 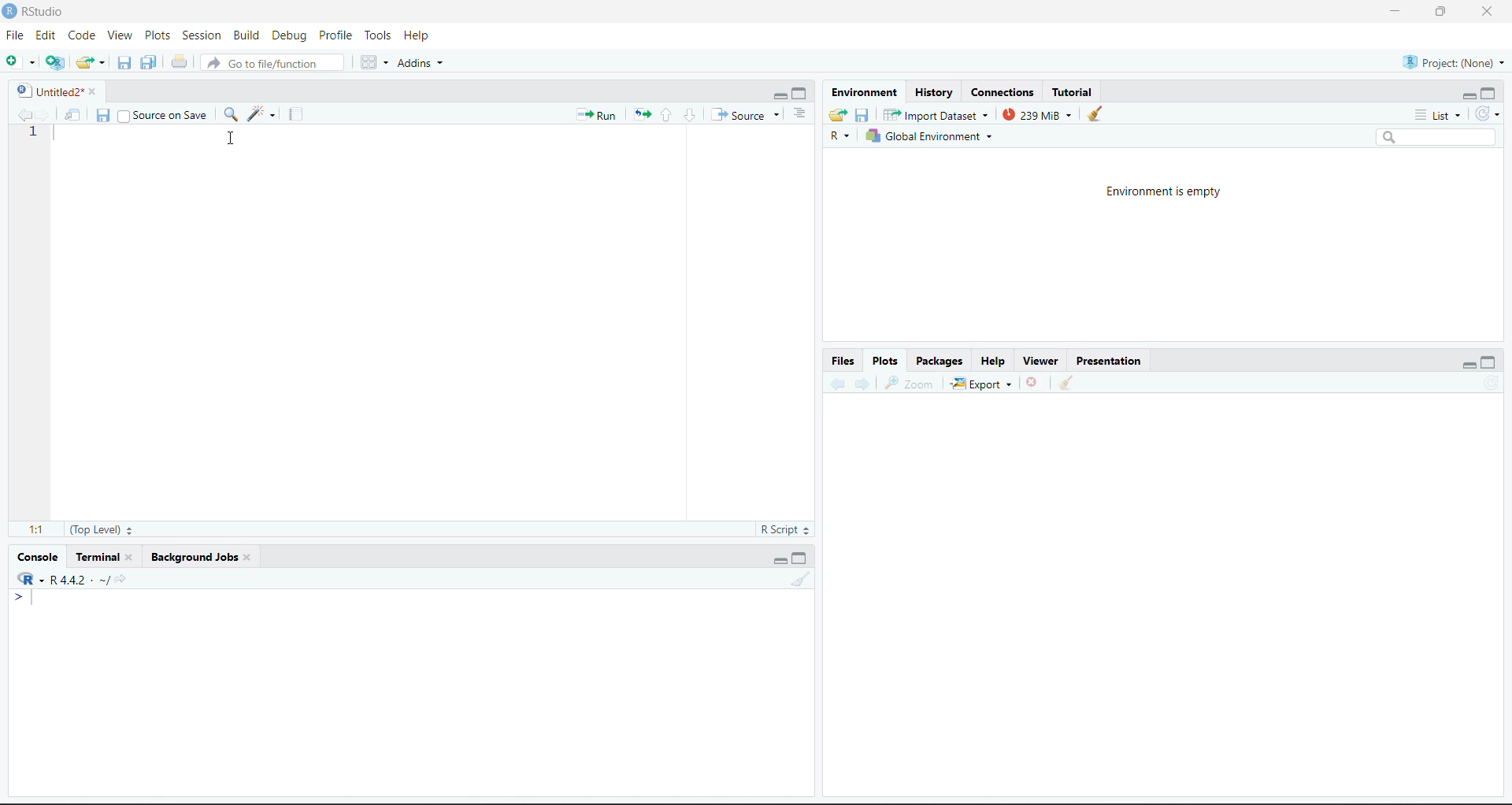 I want to click on Show in new window, so click(x=74, y=114).